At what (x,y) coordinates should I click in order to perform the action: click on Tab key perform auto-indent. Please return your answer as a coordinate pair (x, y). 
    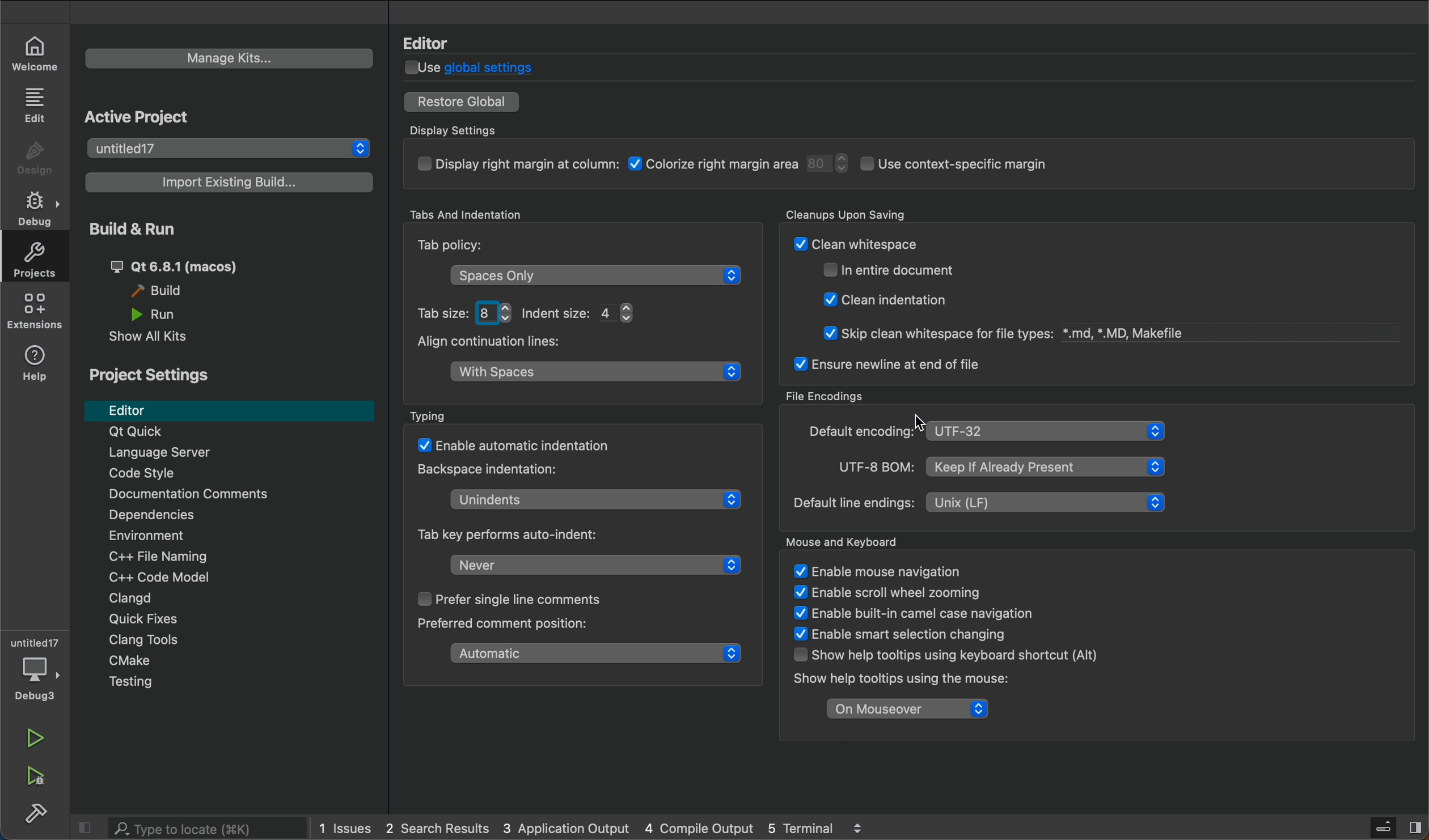
    Looking at the image, I should click on (521, 534).